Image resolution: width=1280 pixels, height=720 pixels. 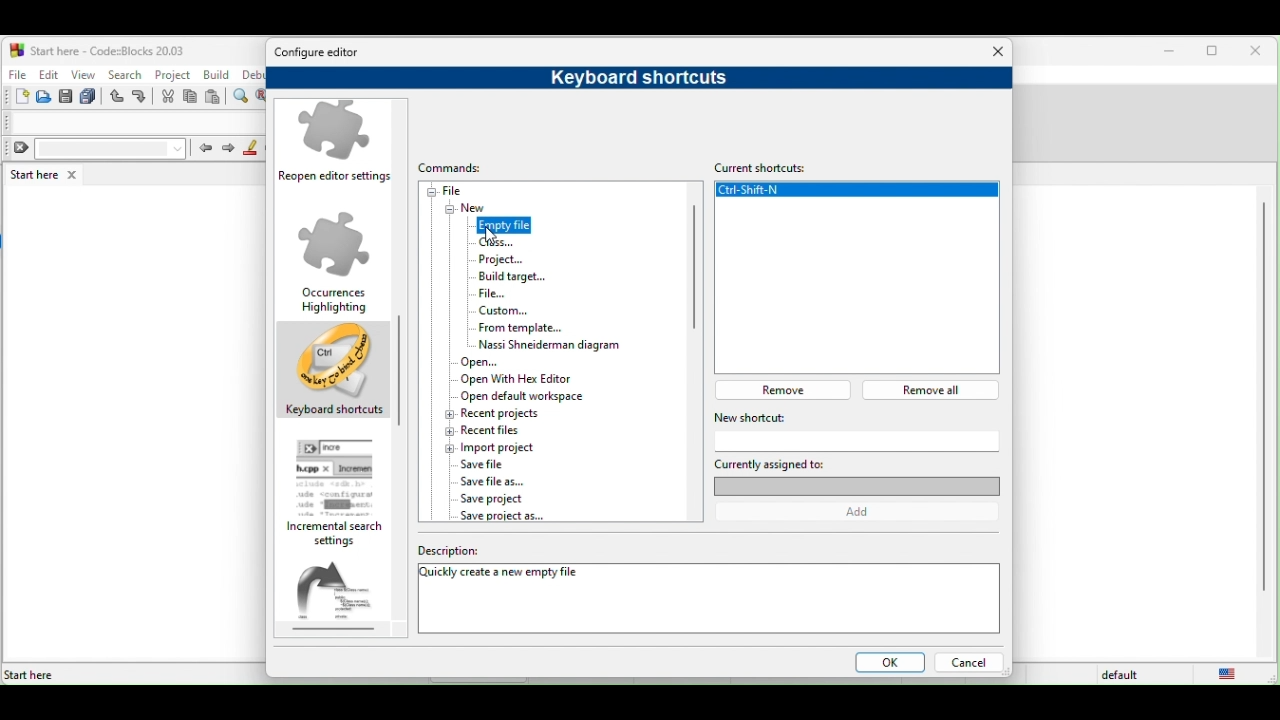 What do you see at coordinates (214, 98) in the screenshot?
I see `paste` at bounding box center [214, 98].